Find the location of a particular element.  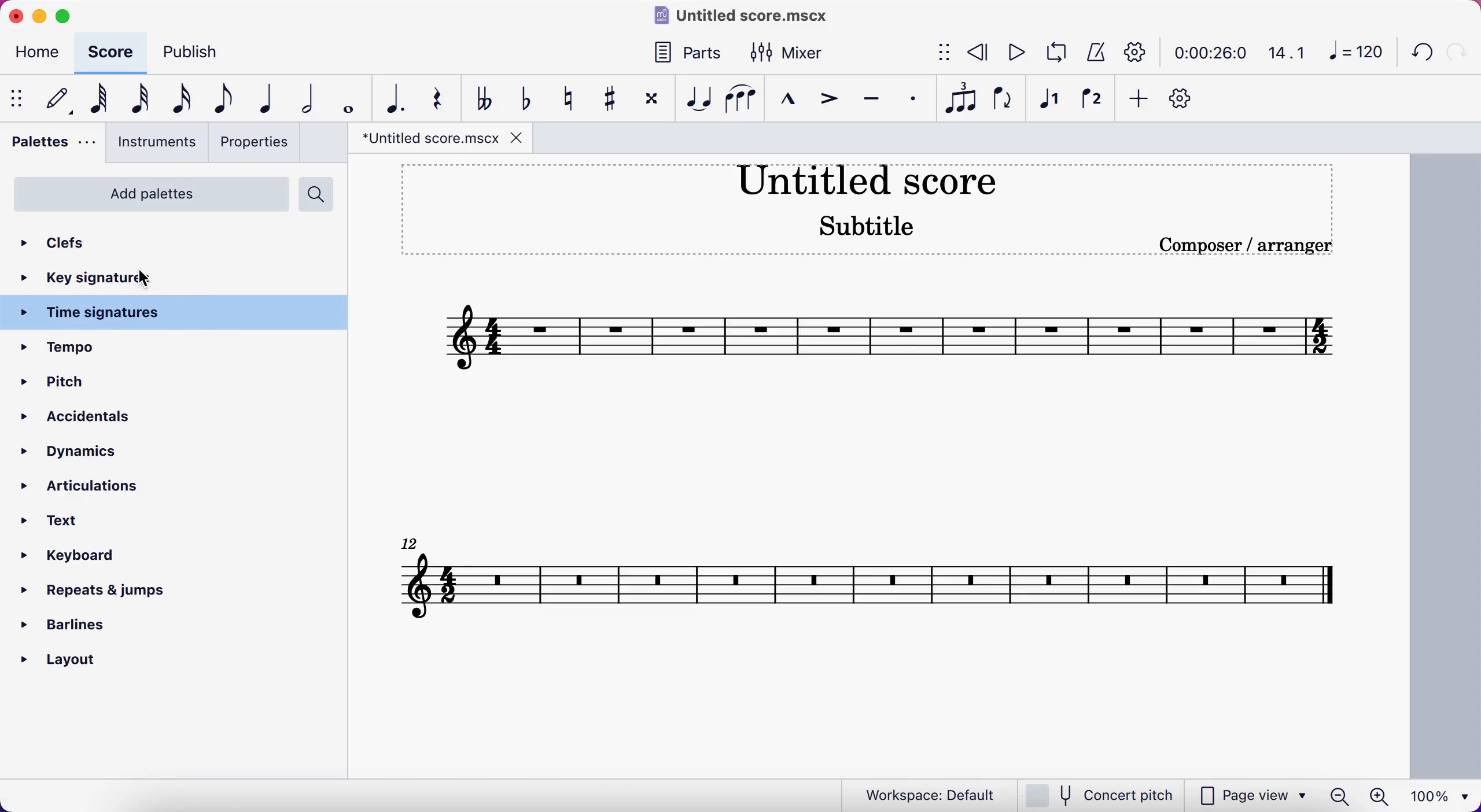

cursor on key signature is located at coordinates (149, 278).